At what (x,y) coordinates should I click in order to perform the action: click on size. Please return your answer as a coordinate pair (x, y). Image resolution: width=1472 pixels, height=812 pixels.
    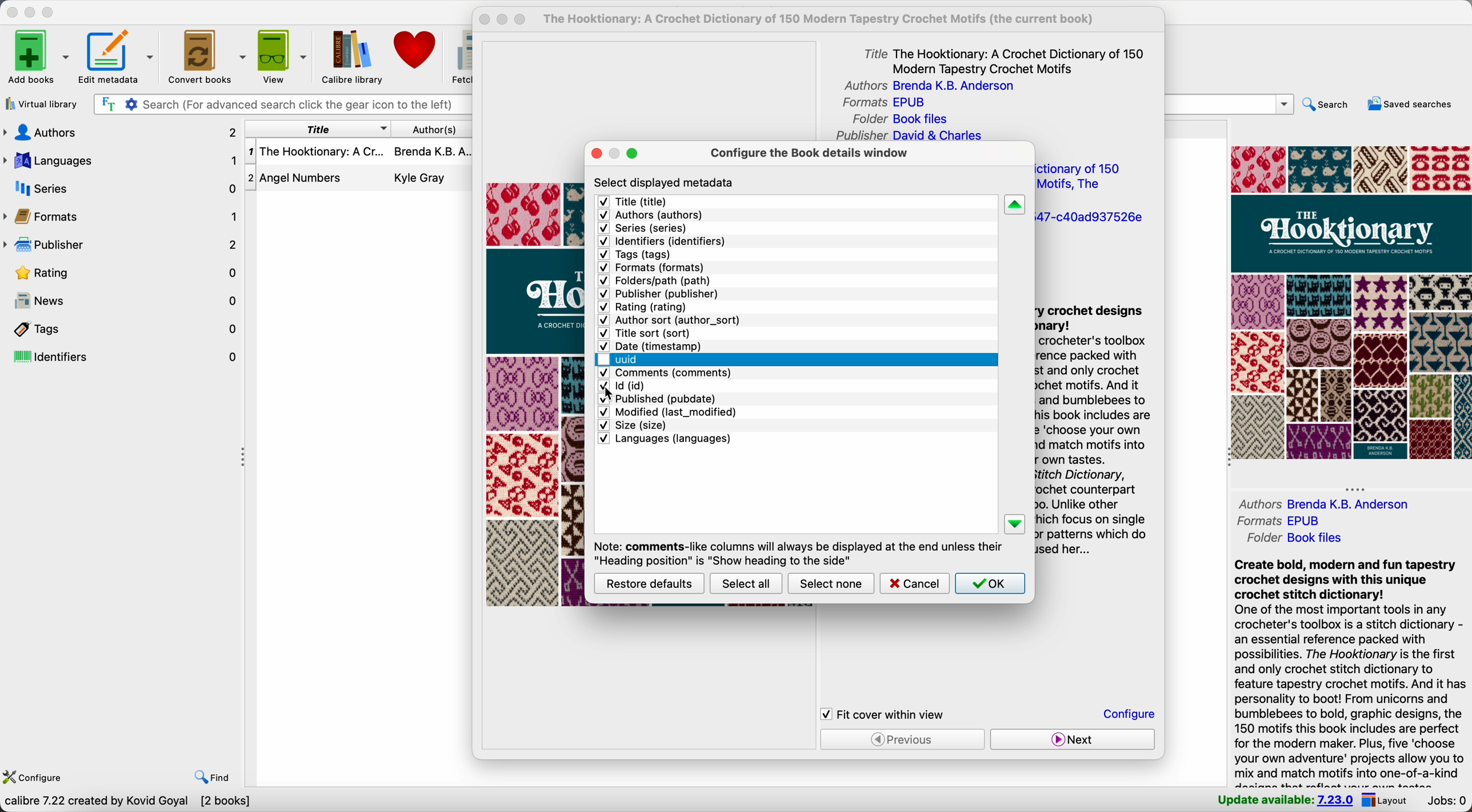
    Looking at the image, I should click on (631, 425).